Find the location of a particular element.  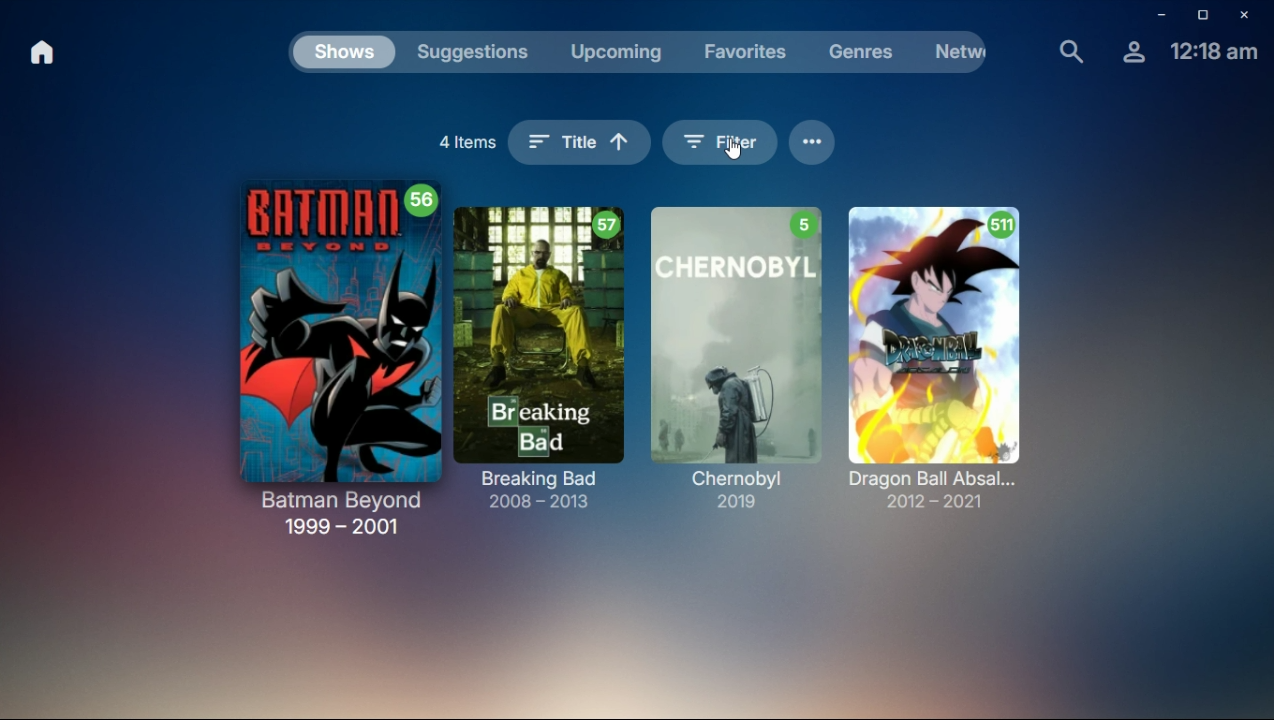

mouse pointer is located at coordinates (735, 151).